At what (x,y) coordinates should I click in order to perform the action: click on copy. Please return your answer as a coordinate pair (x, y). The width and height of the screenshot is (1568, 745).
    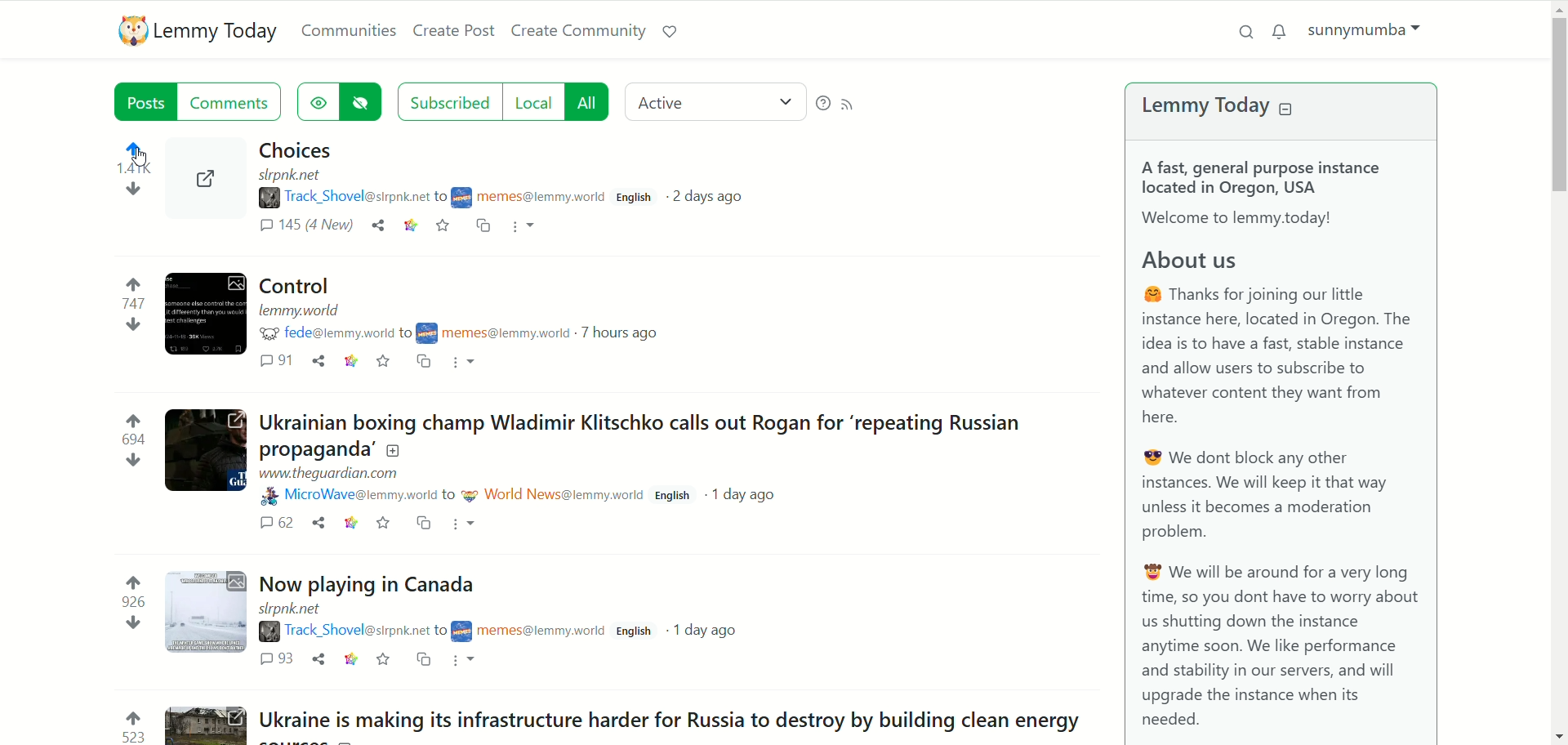
    Looking at the image, I should click on (426, 524).